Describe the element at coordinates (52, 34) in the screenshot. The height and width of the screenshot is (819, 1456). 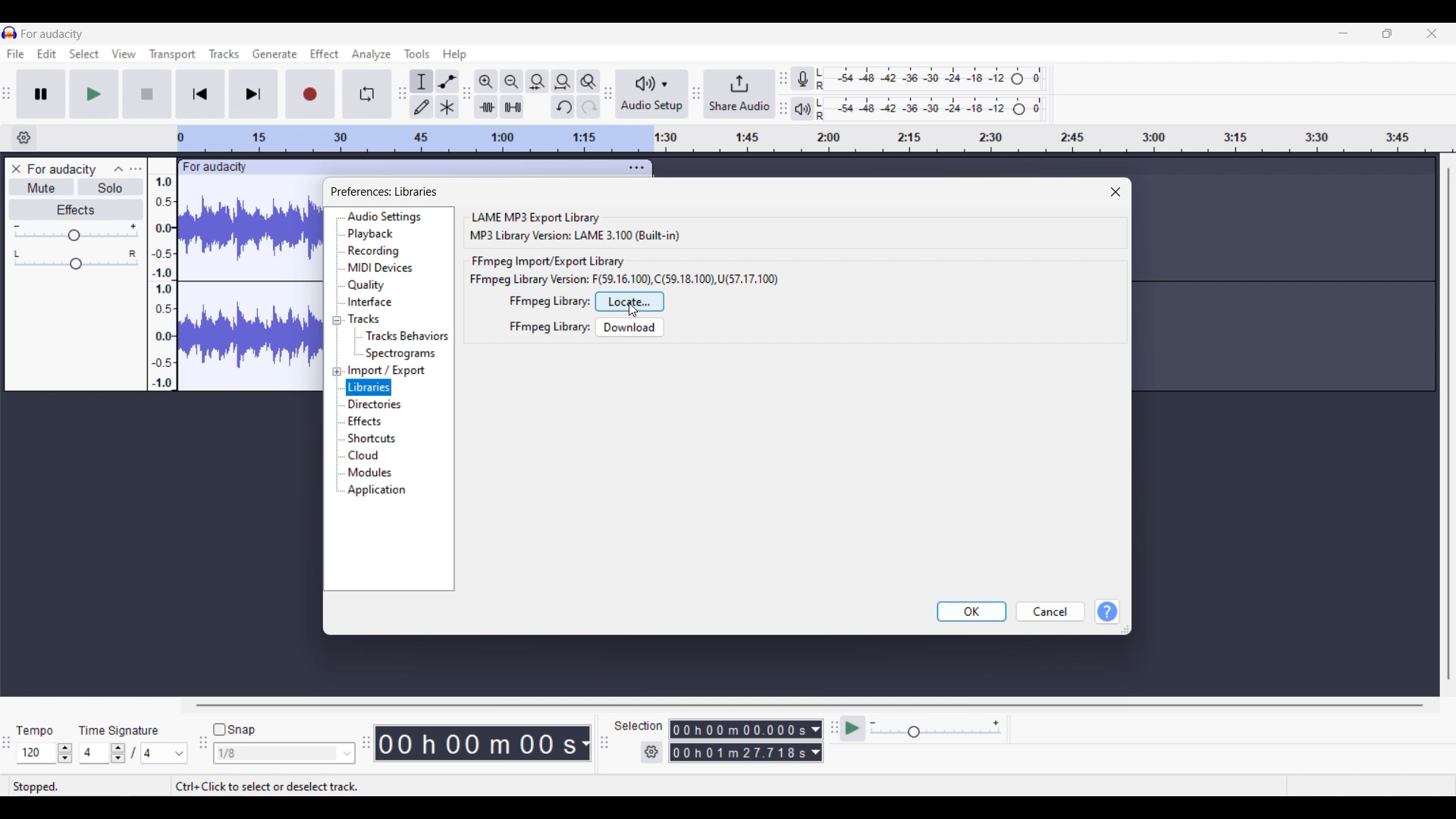
I see `for audacity` at that location.